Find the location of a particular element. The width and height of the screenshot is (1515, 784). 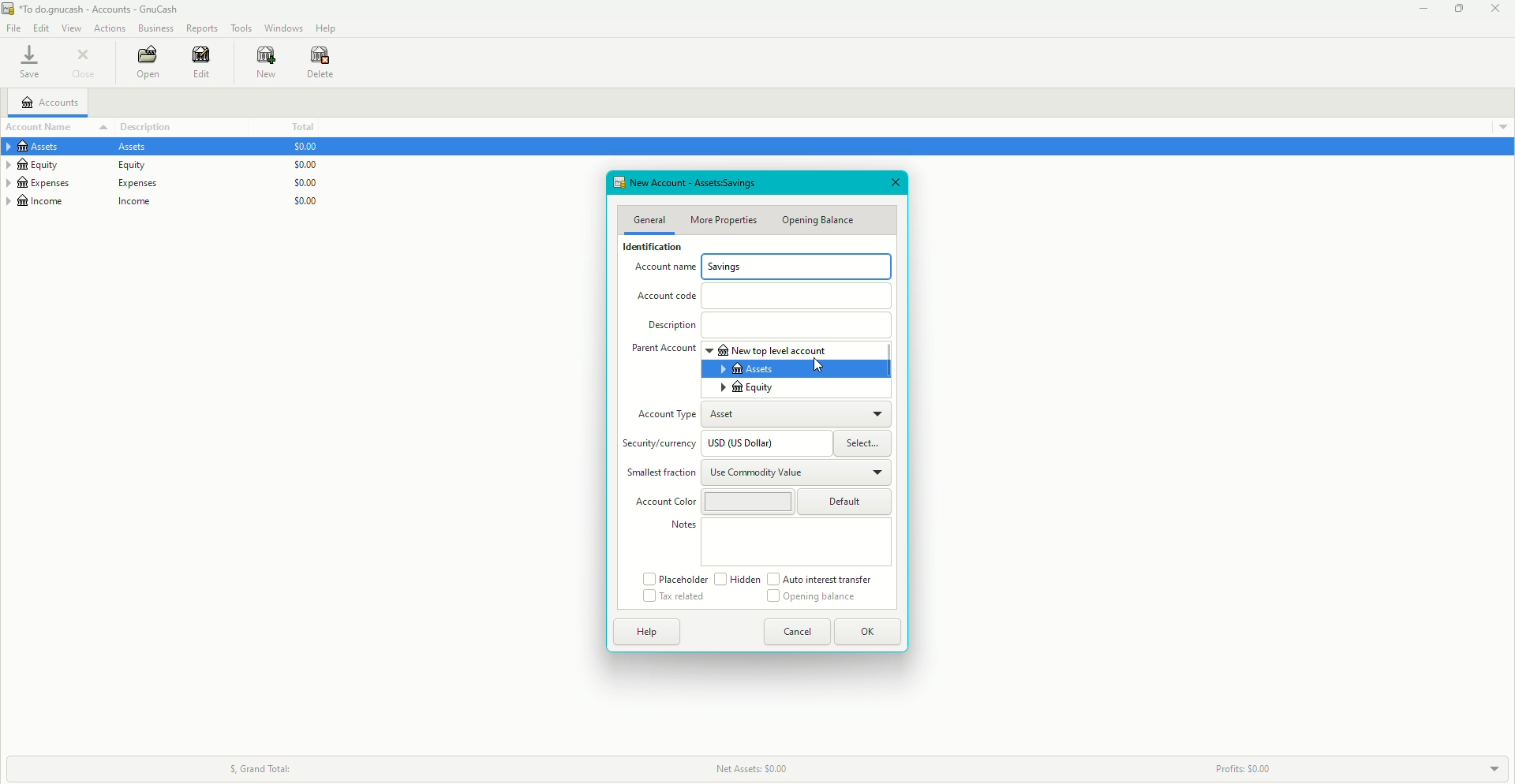

Close is located at coordinates (896, 182).